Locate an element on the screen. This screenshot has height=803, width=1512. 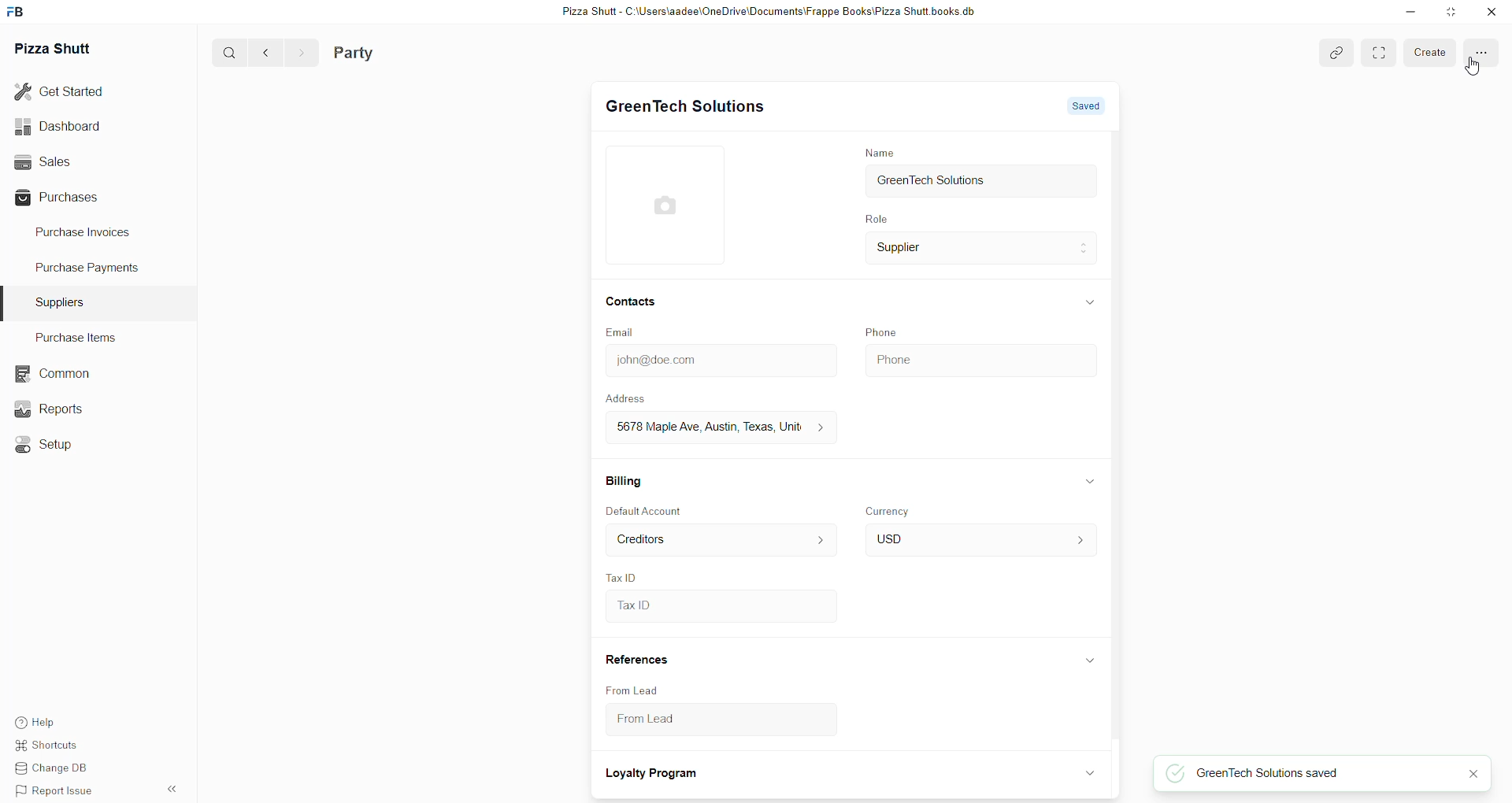
next page is located at coordinates (297, 52).